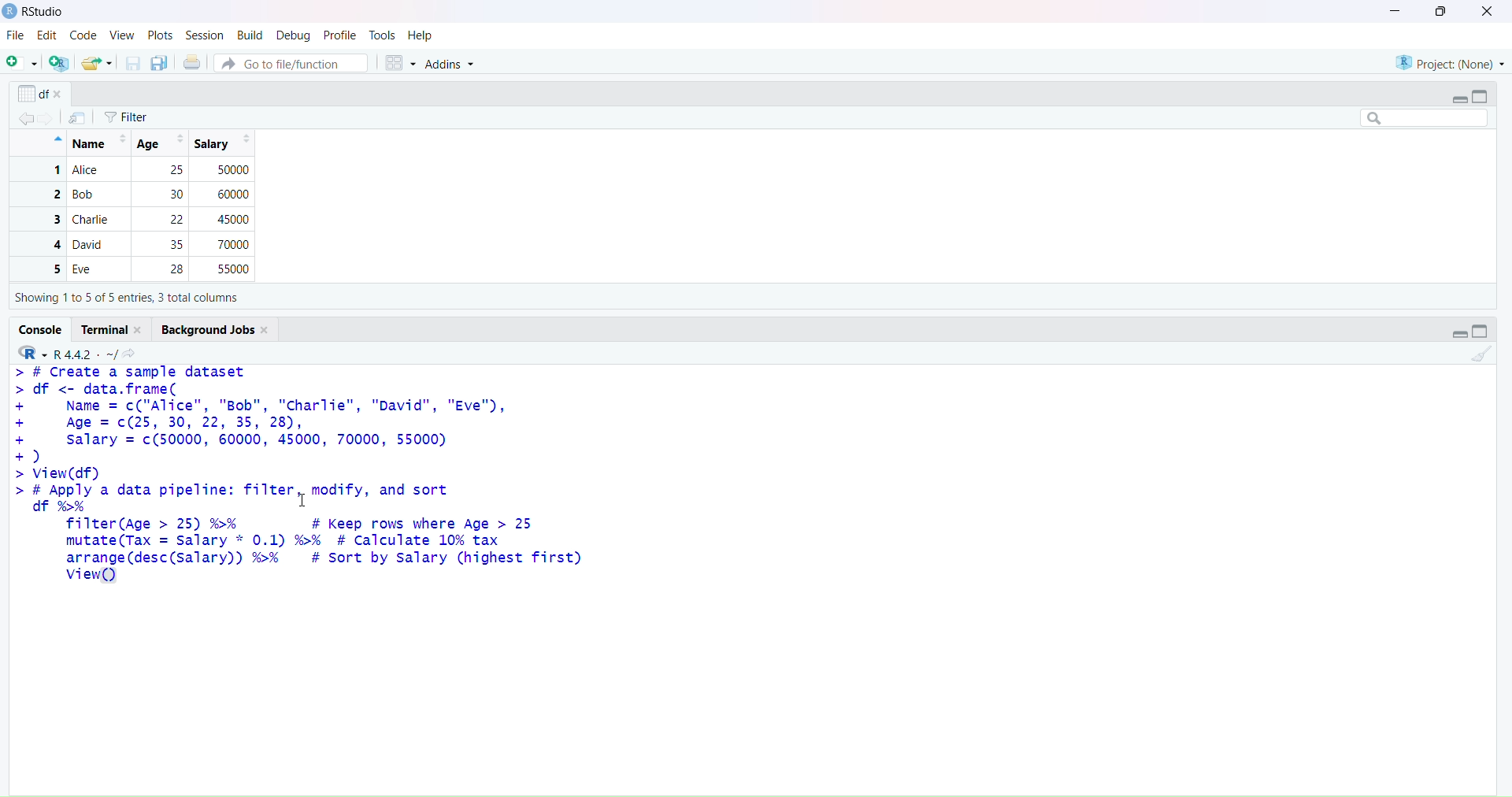  What do you see at coordinates (129, 116) in the screenshot?
I see `filter` at bounding box center [129, 116].